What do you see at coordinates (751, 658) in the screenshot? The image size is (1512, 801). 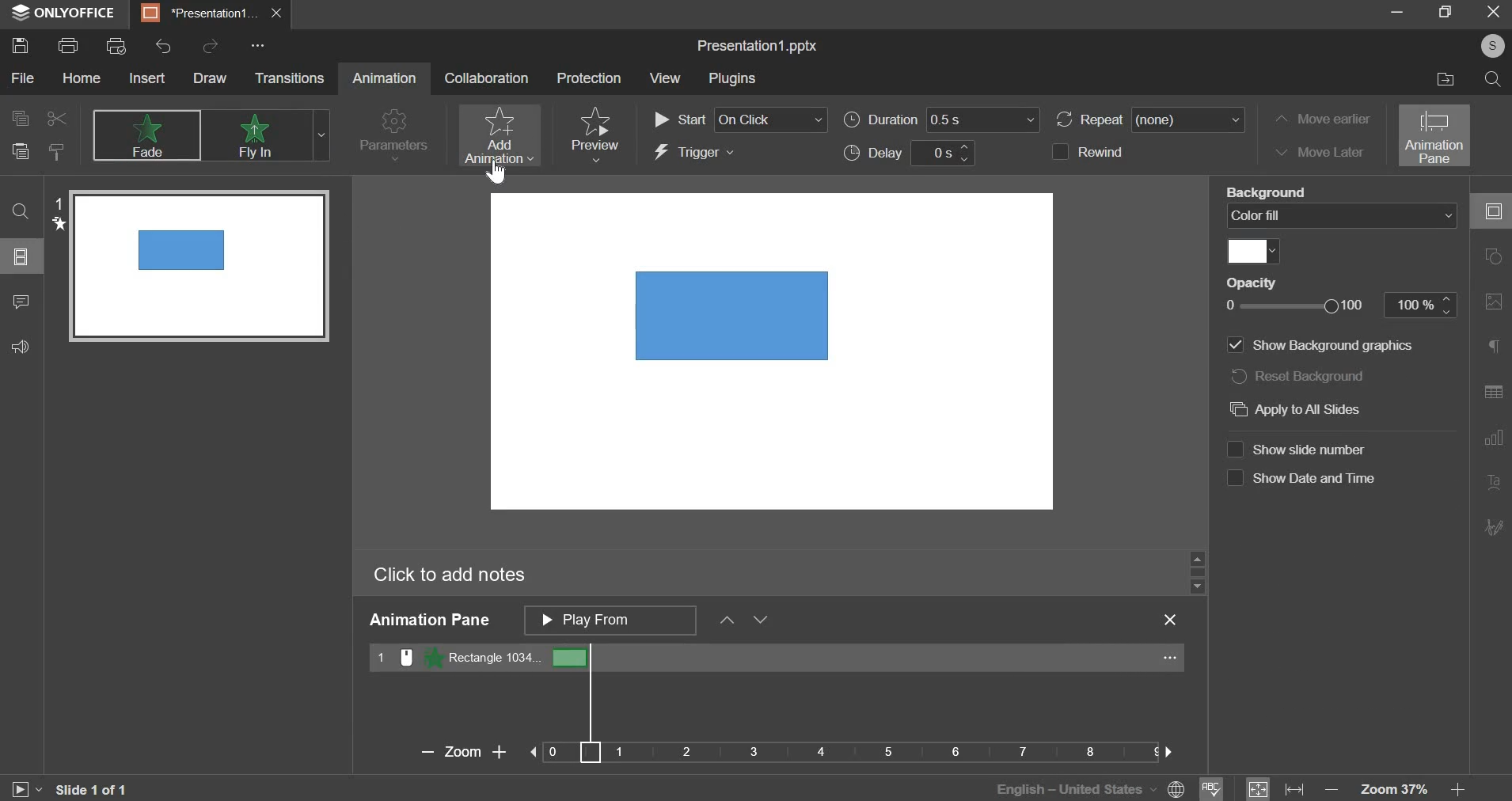 I see `rectangle 2014` at bounding box center [751, 658].